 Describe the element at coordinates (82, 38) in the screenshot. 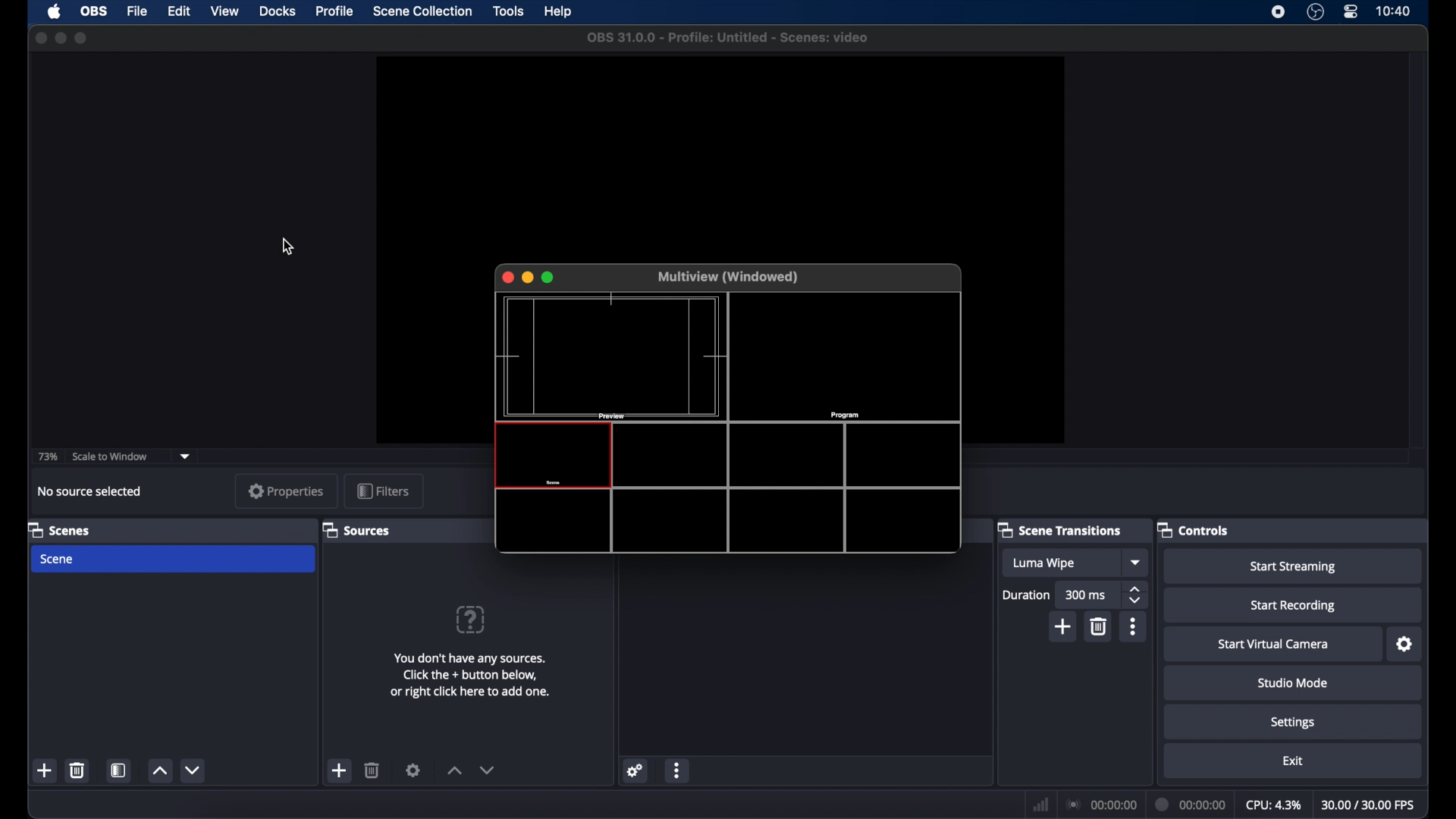

I see `maximize` at that location.